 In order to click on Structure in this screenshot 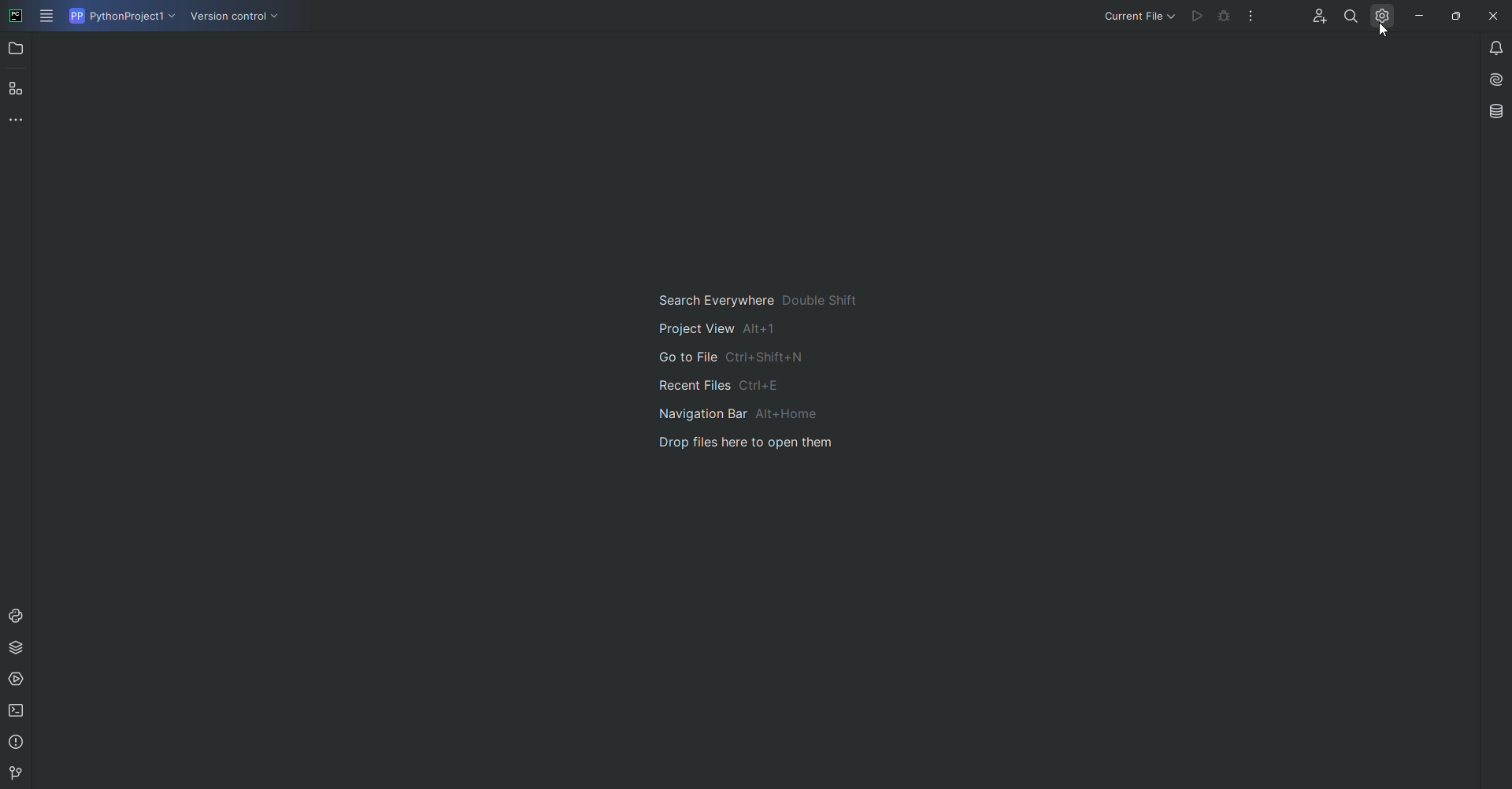, I will do `click(17, 87)`.